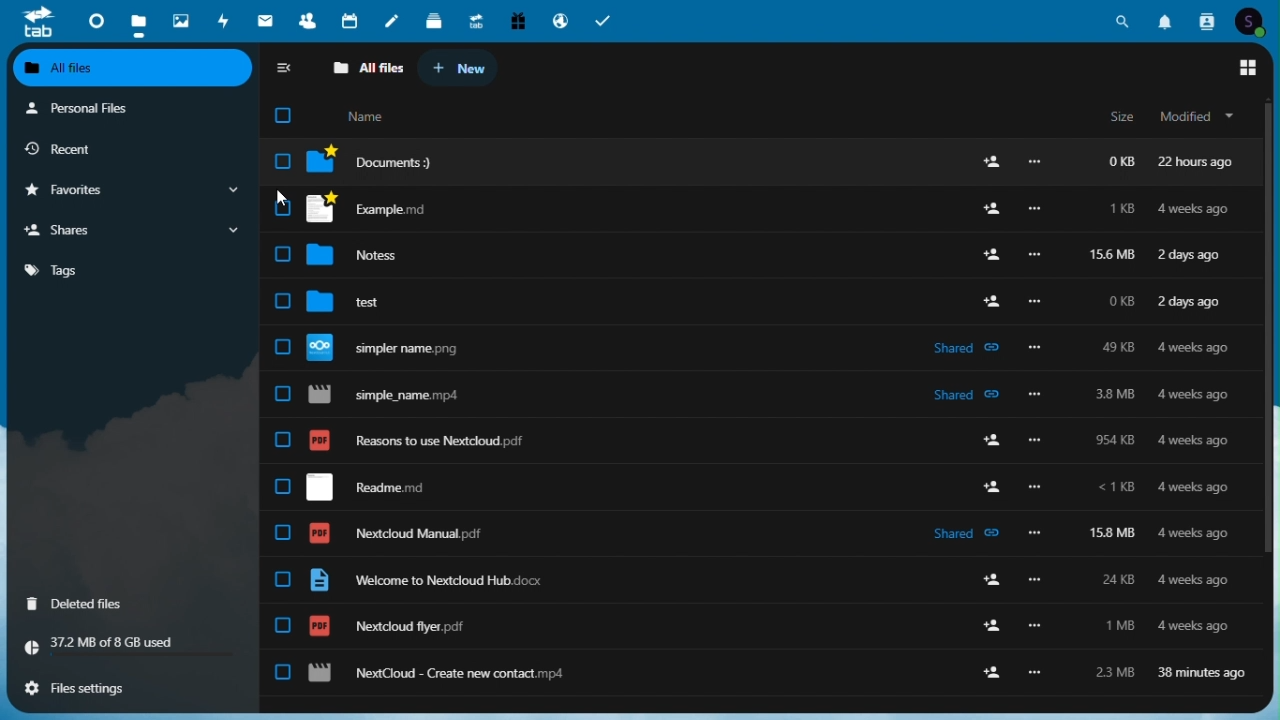  I want to click on check box, so click(279, 393).